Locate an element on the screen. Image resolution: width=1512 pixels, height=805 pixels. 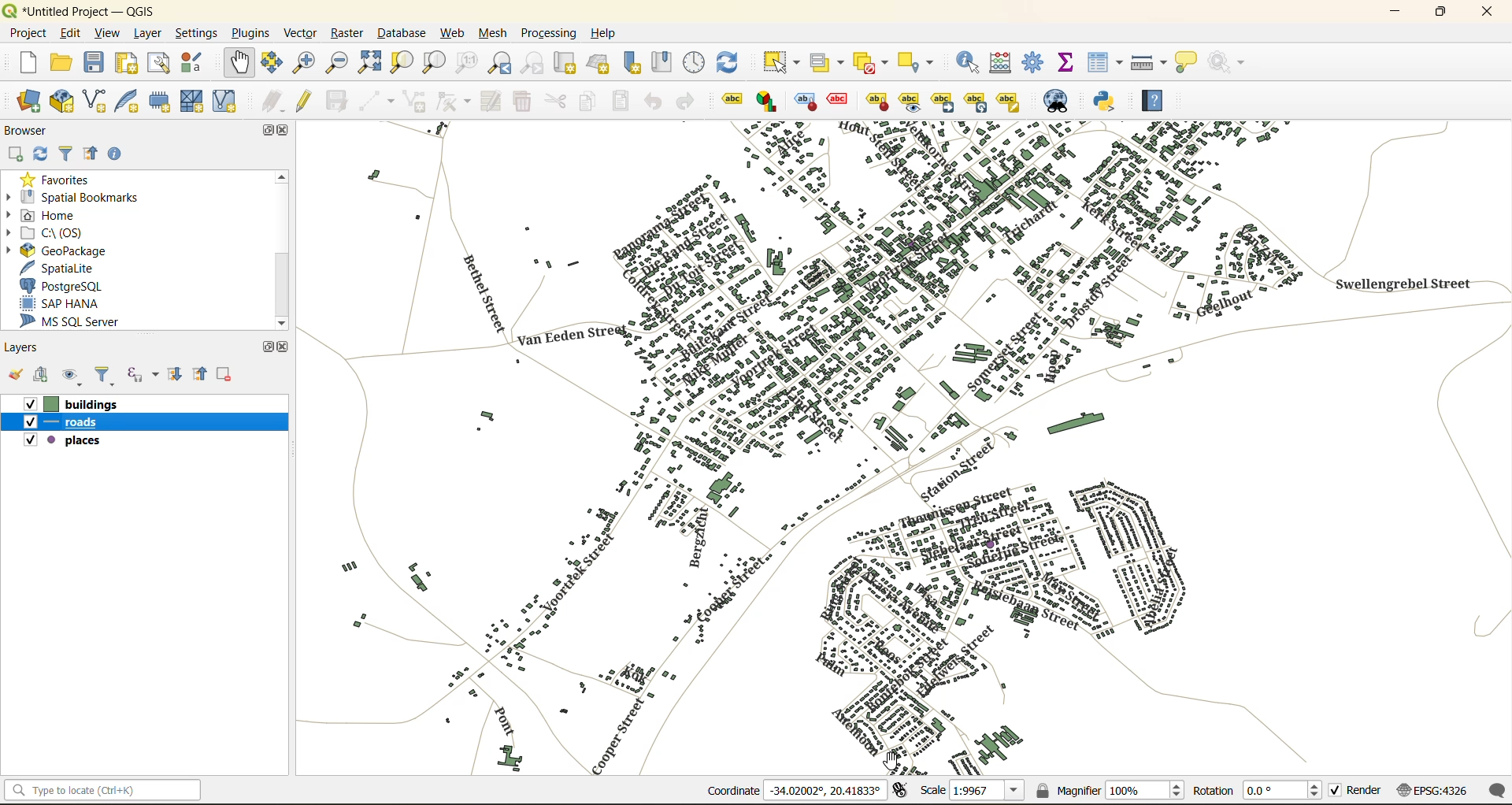
layers is located at coordinates (28, 350).